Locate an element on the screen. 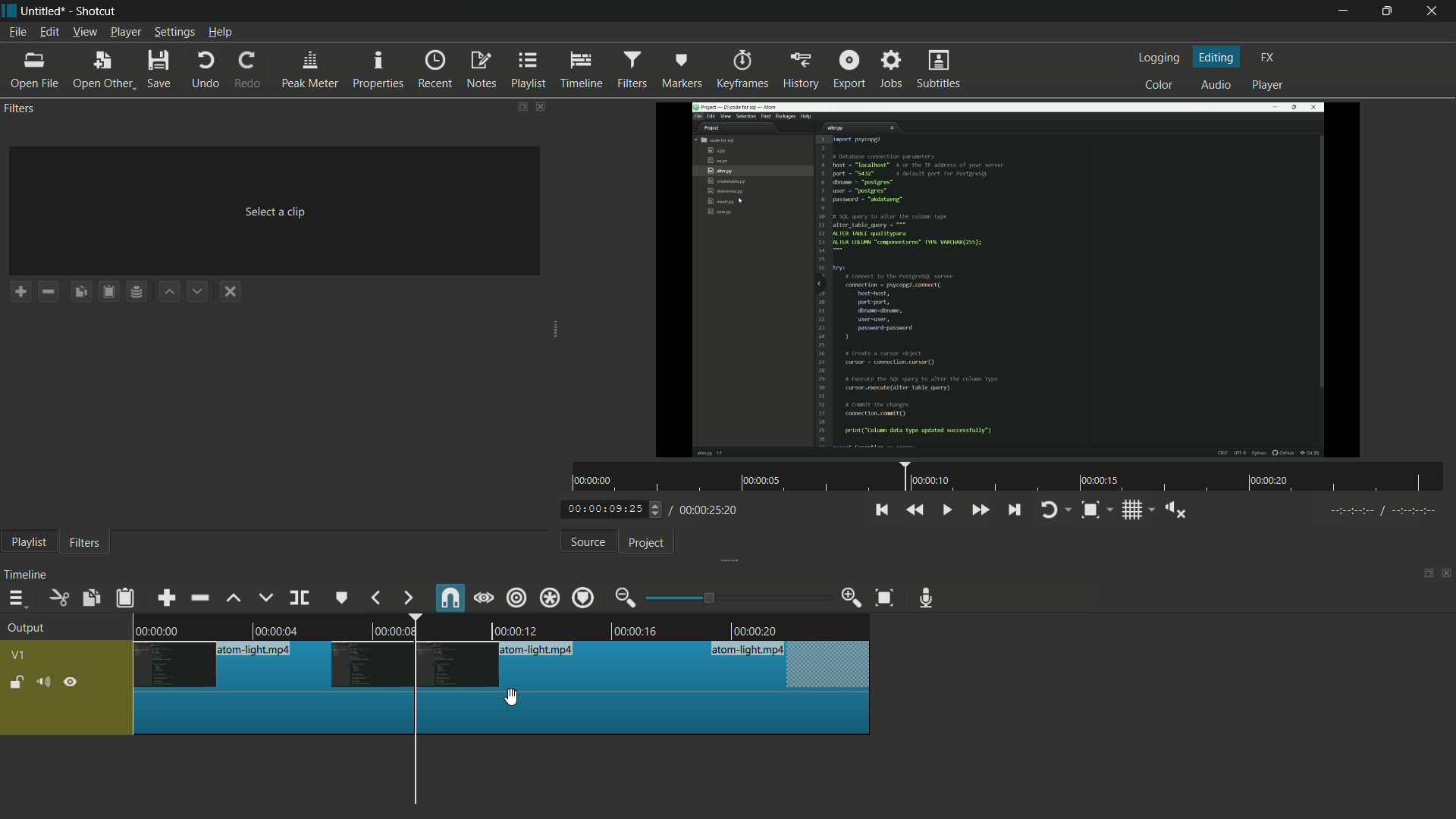 The image size is (1456, 819). previous marker is located at coordinates (377, 598).